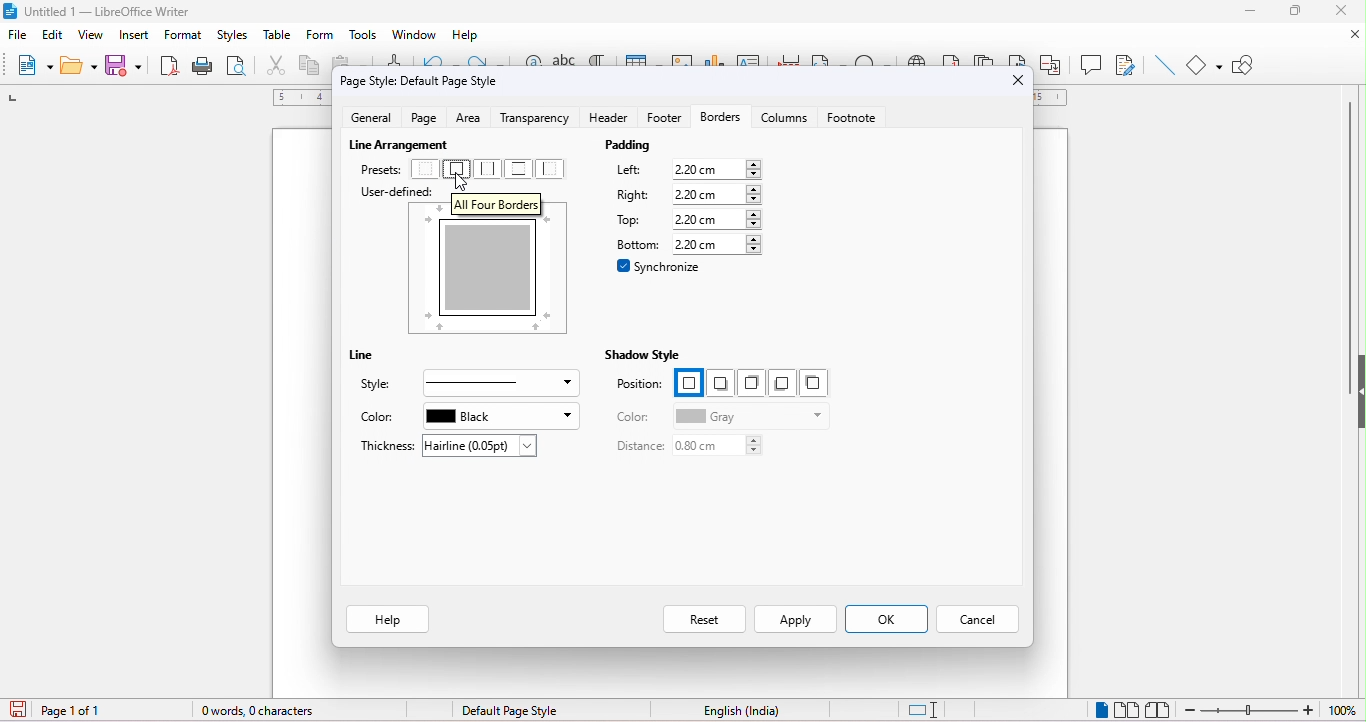  I want to click on tools, so click(362, 37).